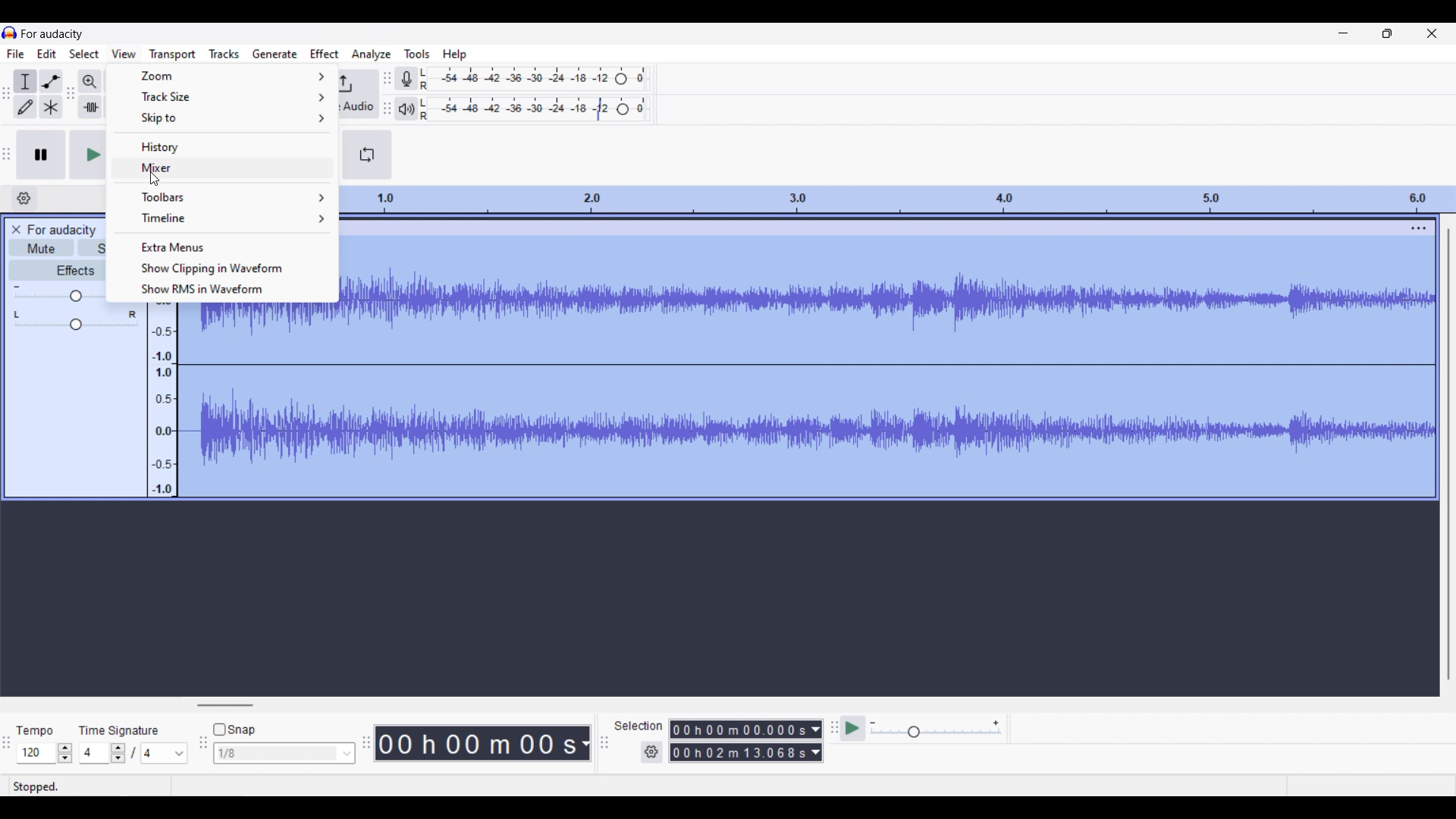 Image resolution: width=1456 pixels, height=819 pixels. What do you see at coordinates (1432, 33) in the screenshot?
I see `Close interface` at bounding box center [1432, 33].